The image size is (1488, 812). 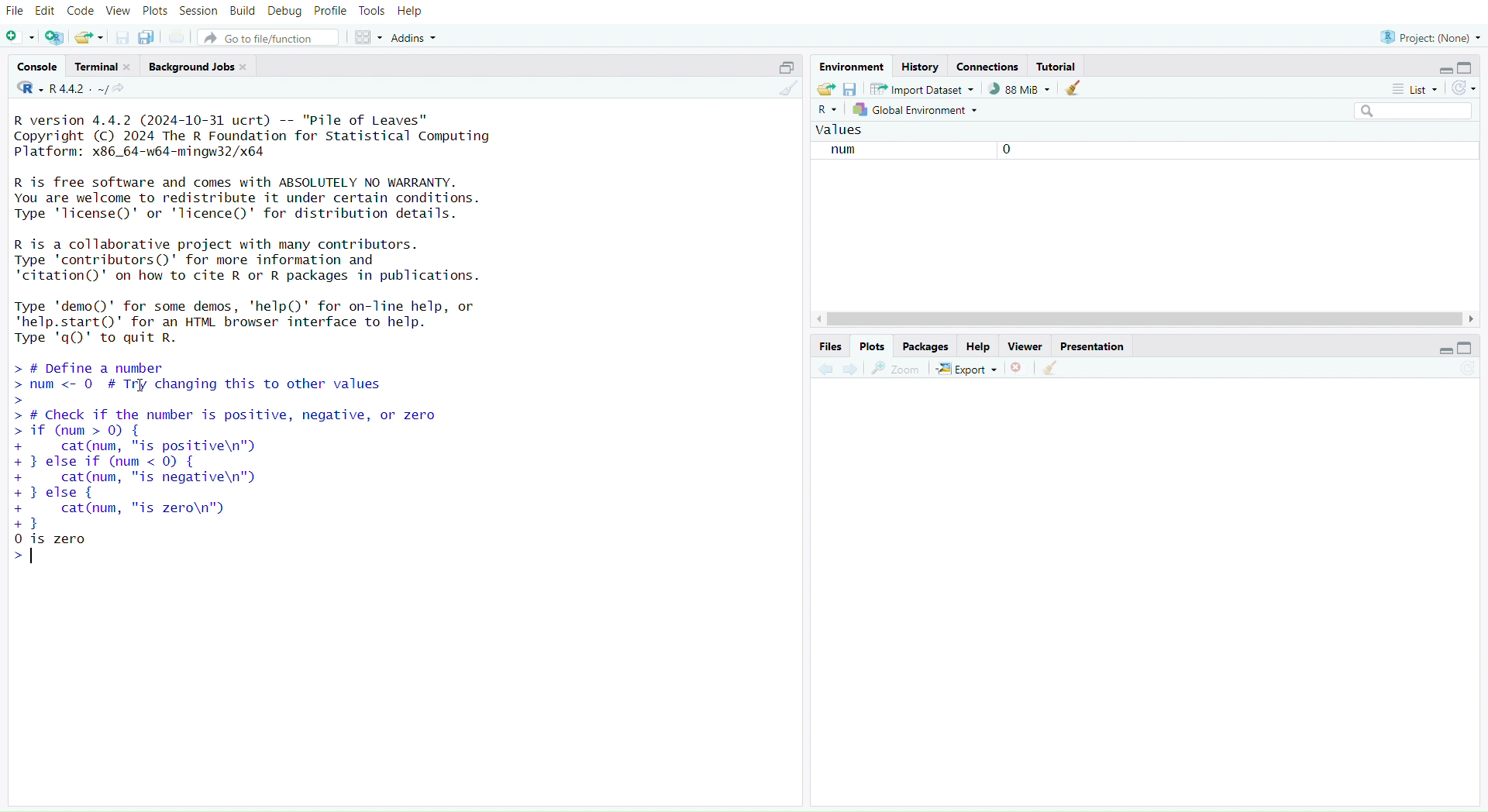 What do you see at coordinates (827, 346) in the screenshot?
I see `files` at bounding box center [827, 346].